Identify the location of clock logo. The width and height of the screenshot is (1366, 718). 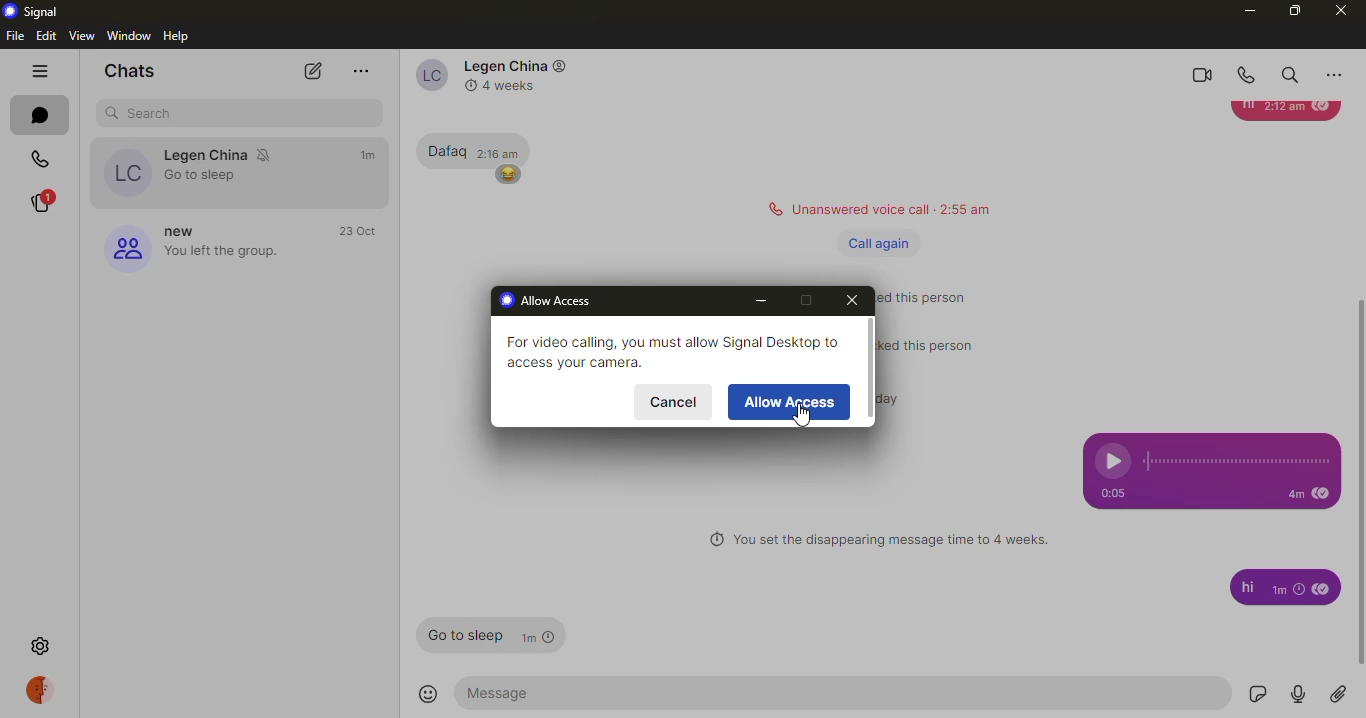
(468, 85).